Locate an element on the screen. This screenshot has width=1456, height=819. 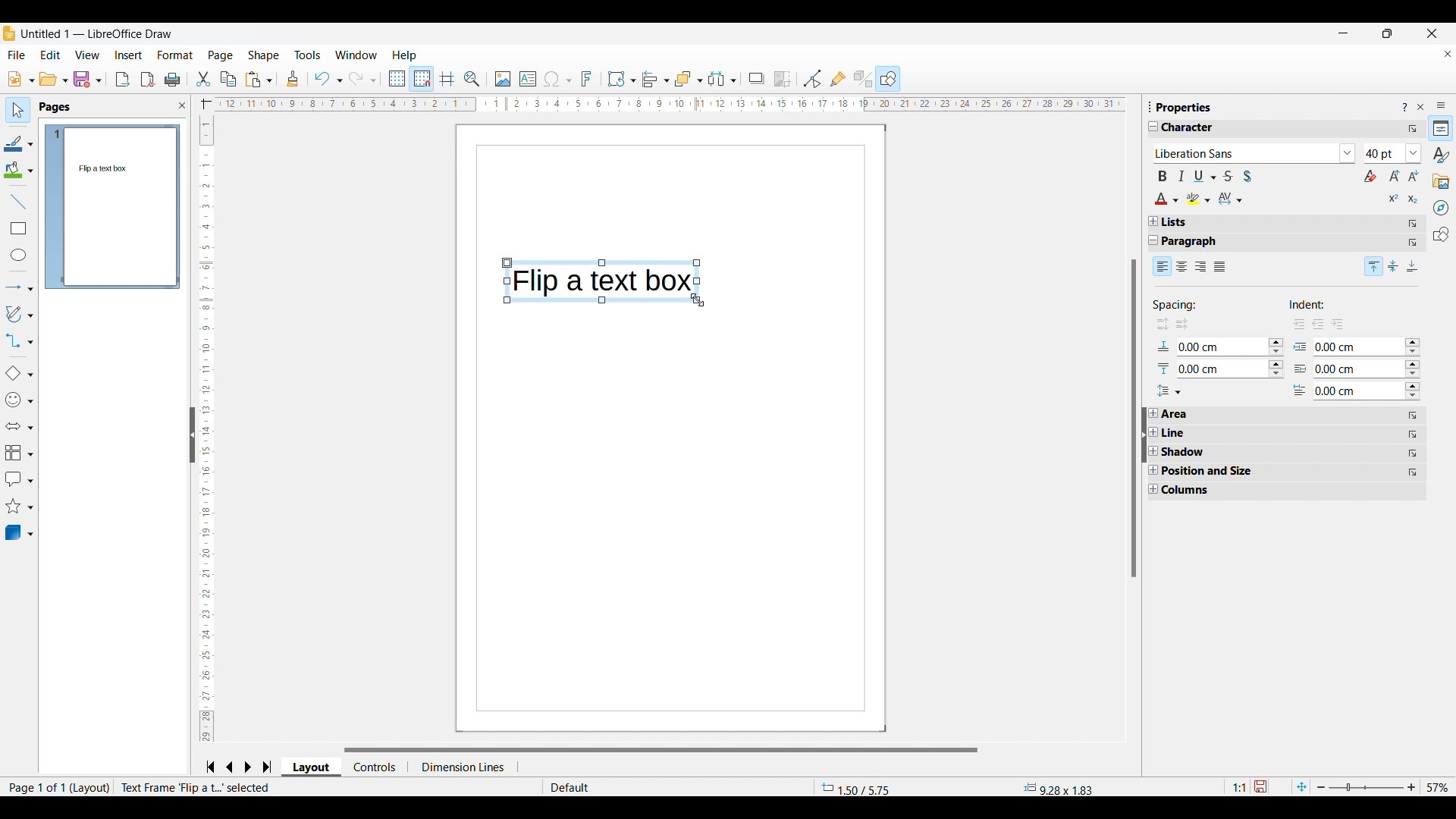
position and size is located at coordinates (1214, 471).